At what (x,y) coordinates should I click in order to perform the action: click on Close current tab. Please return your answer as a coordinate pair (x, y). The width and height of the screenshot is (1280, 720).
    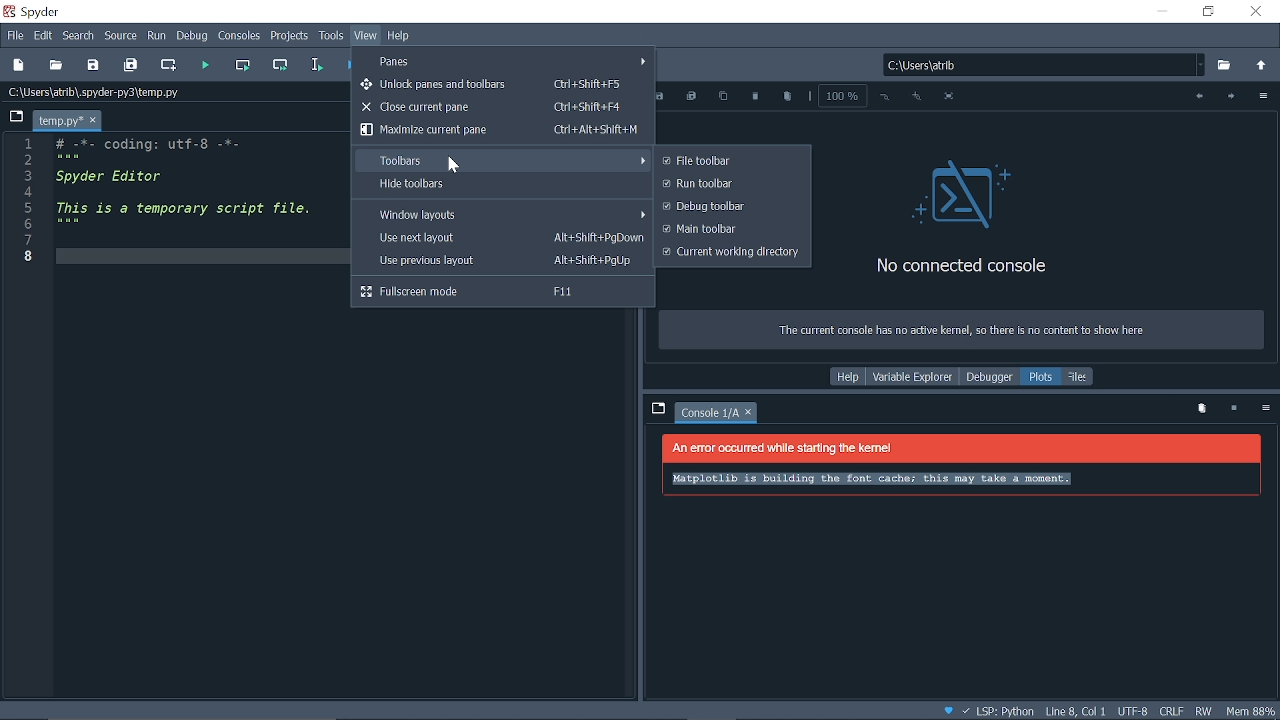
    Looking at the image, I should click on (93, 121).